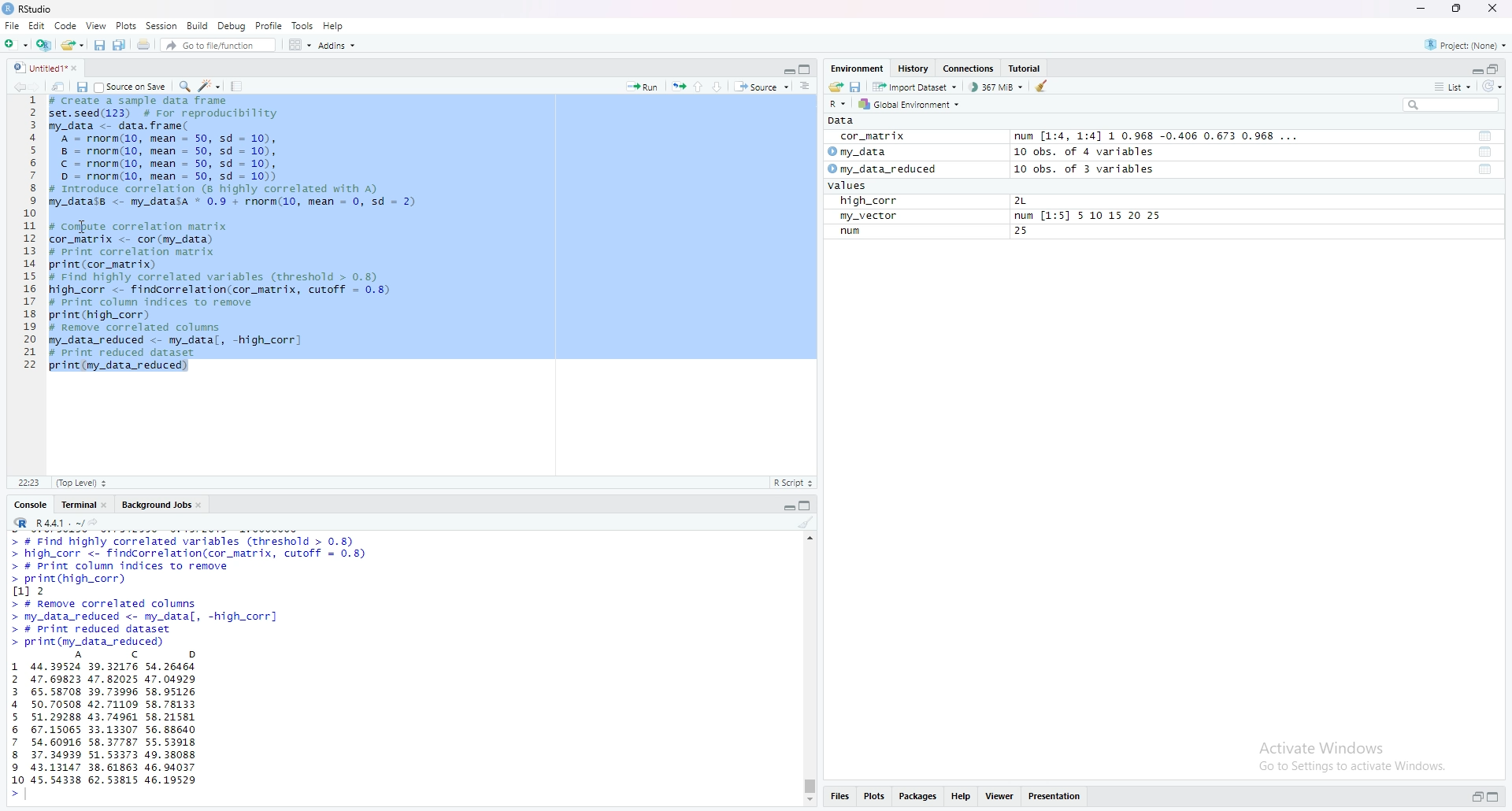 The image size is (1512, 811). What do you see at coordinates (850, 185) in the screenshot?
I see `values` at bounding box center [850, 185].